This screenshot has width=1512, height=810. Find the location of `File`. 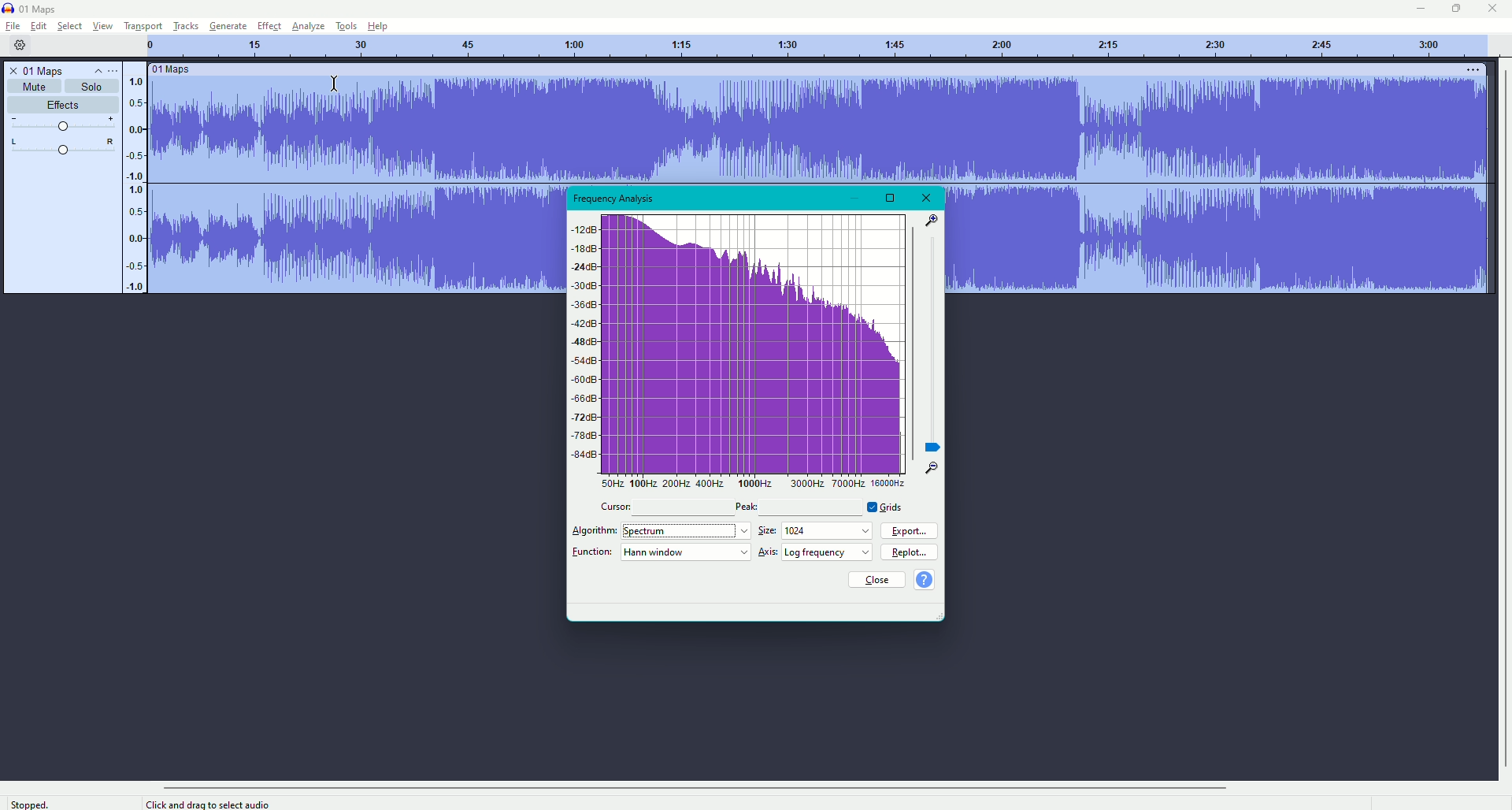

File is located at coordinates (13, 27).